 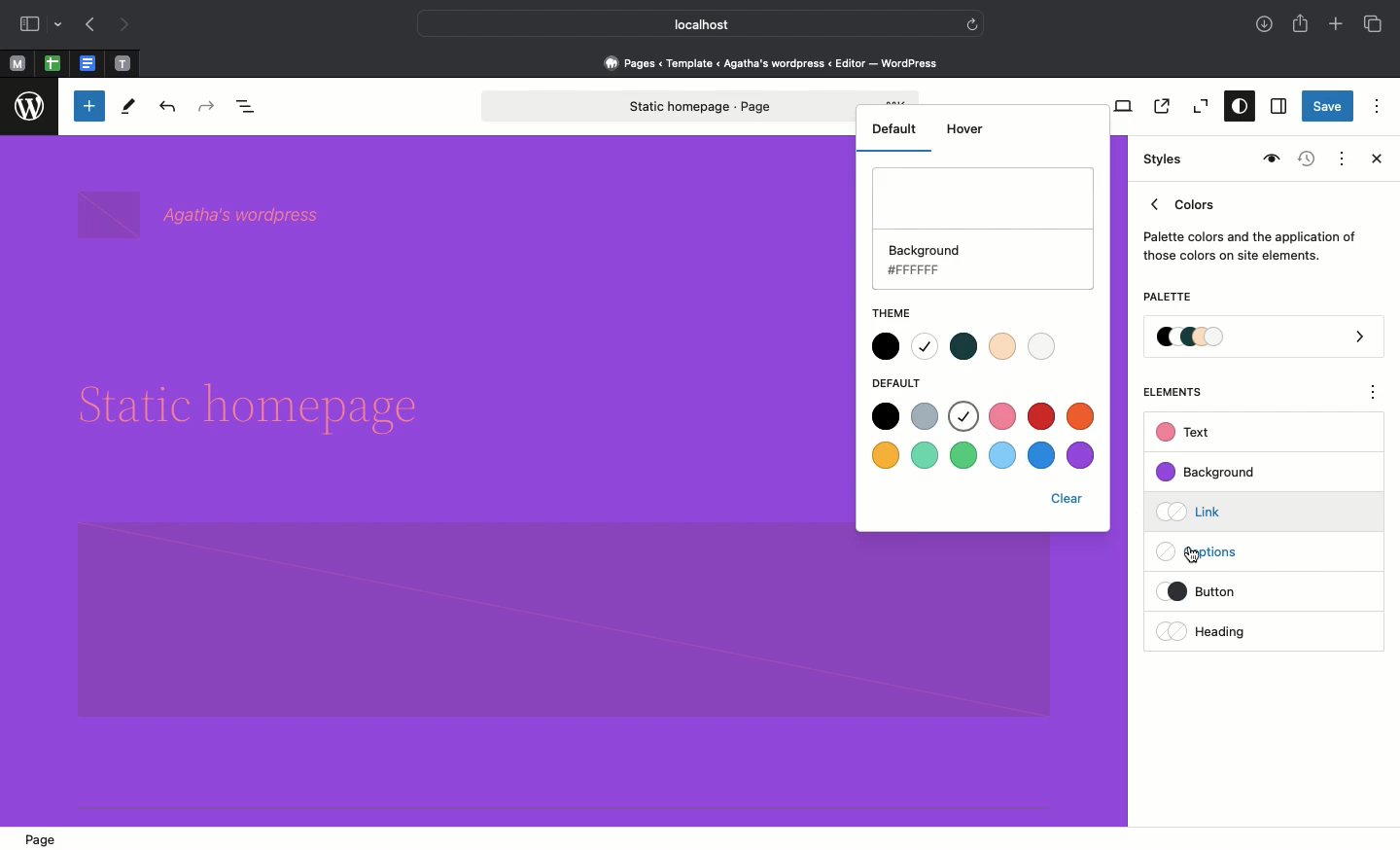 What do you see at coordinates (89, 106) in the screenshot?
I see `Toggle blocker` at bounding box center [89, 106].